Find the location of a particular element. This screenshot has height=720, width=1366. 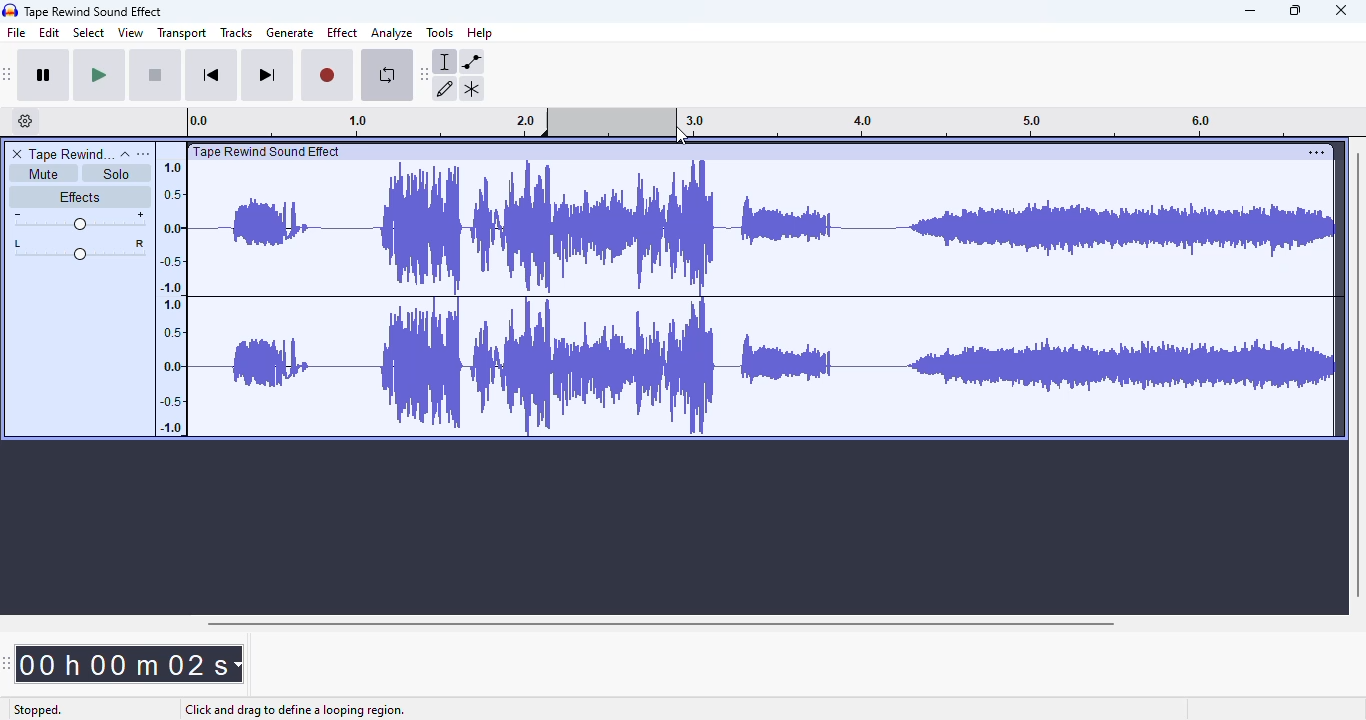

audacity time toolbar is located at coordinates (7, 662).